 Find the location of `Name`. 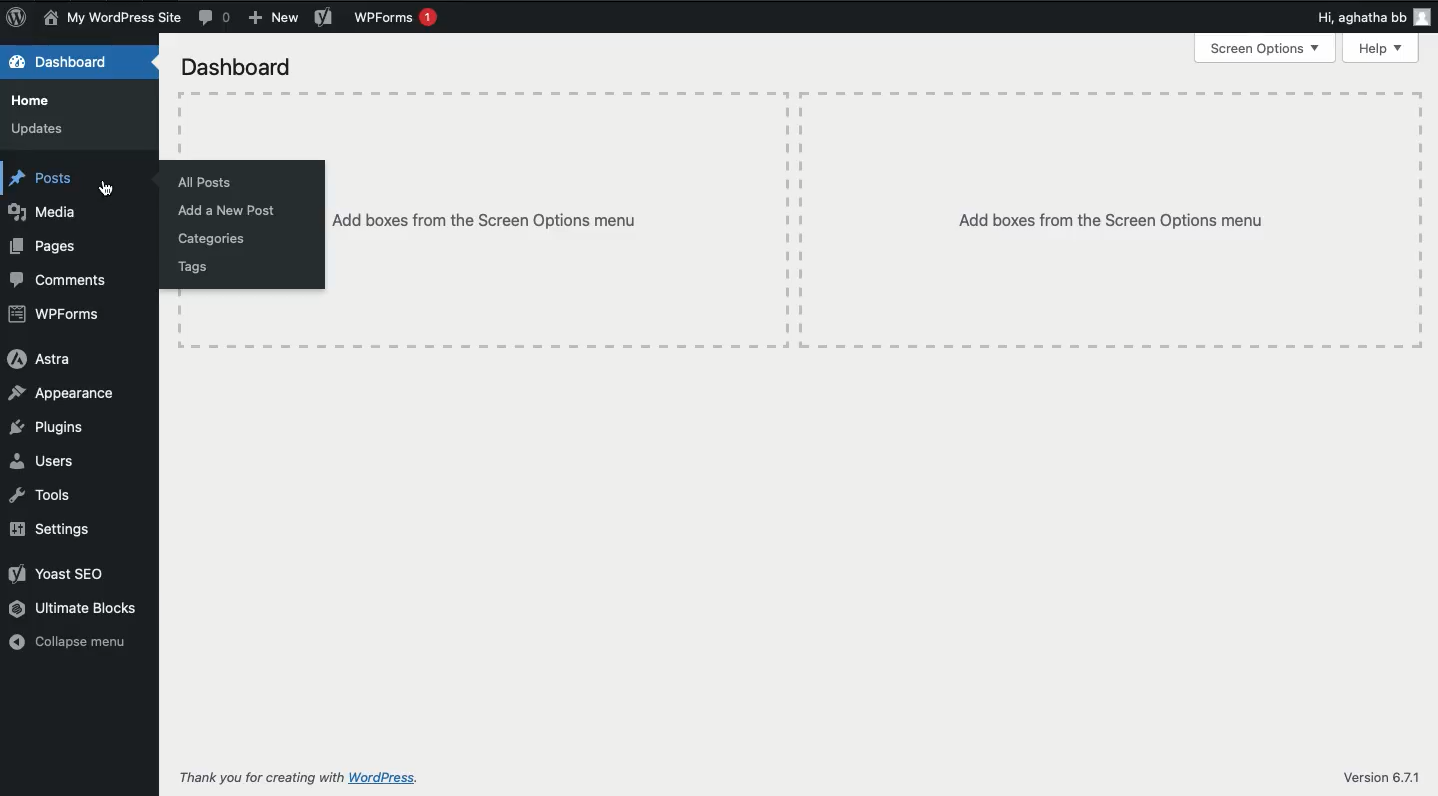

Name is located at coordinates (115, 19).